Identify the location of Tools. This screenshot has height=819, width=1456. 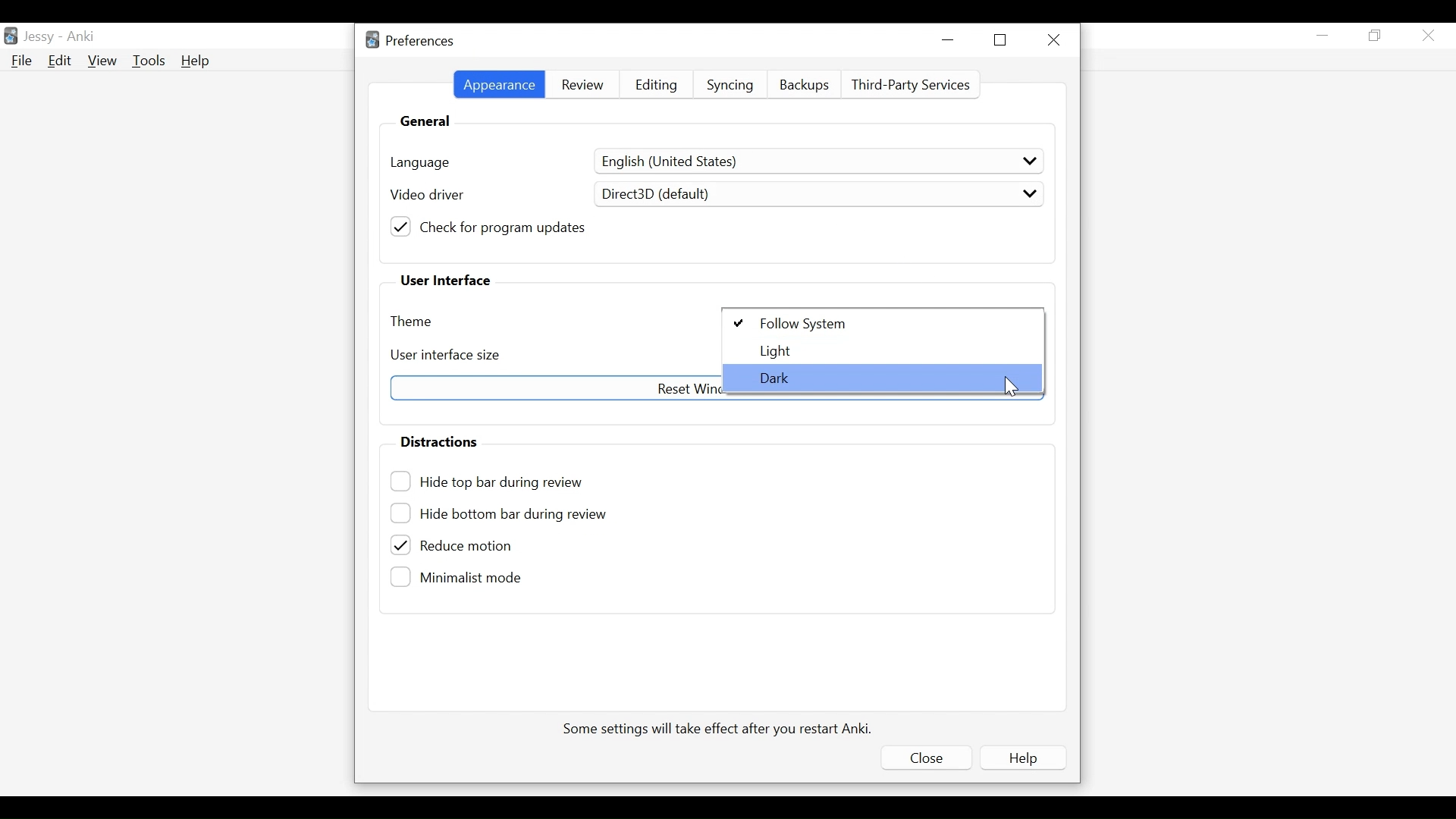
(149, 60).